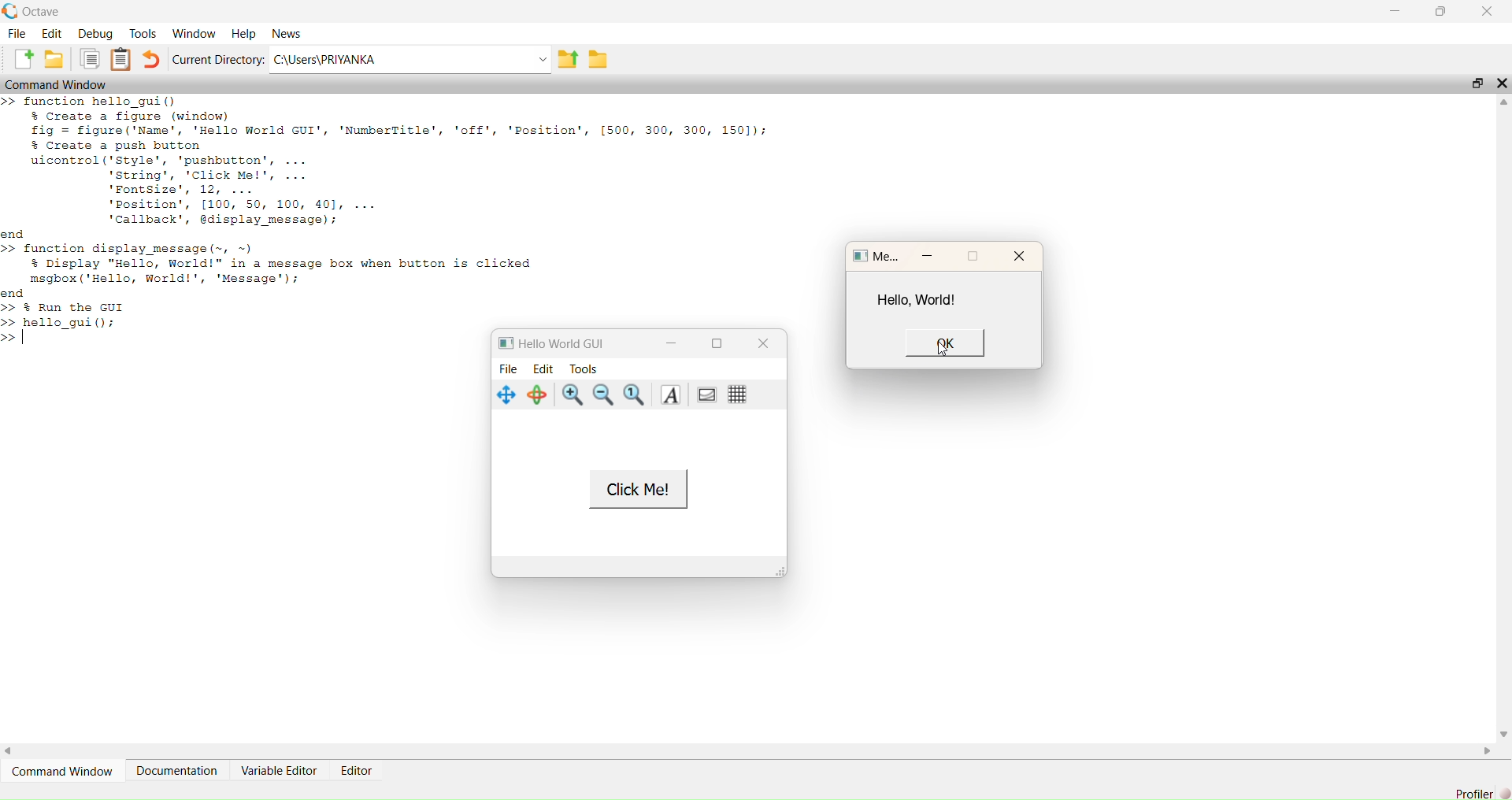 The height and width of the screenshot is (800, 1512). What do you see at coordinates (98, 34) in the screenshot?
I see `Debug` at bounding box center [98, 34].